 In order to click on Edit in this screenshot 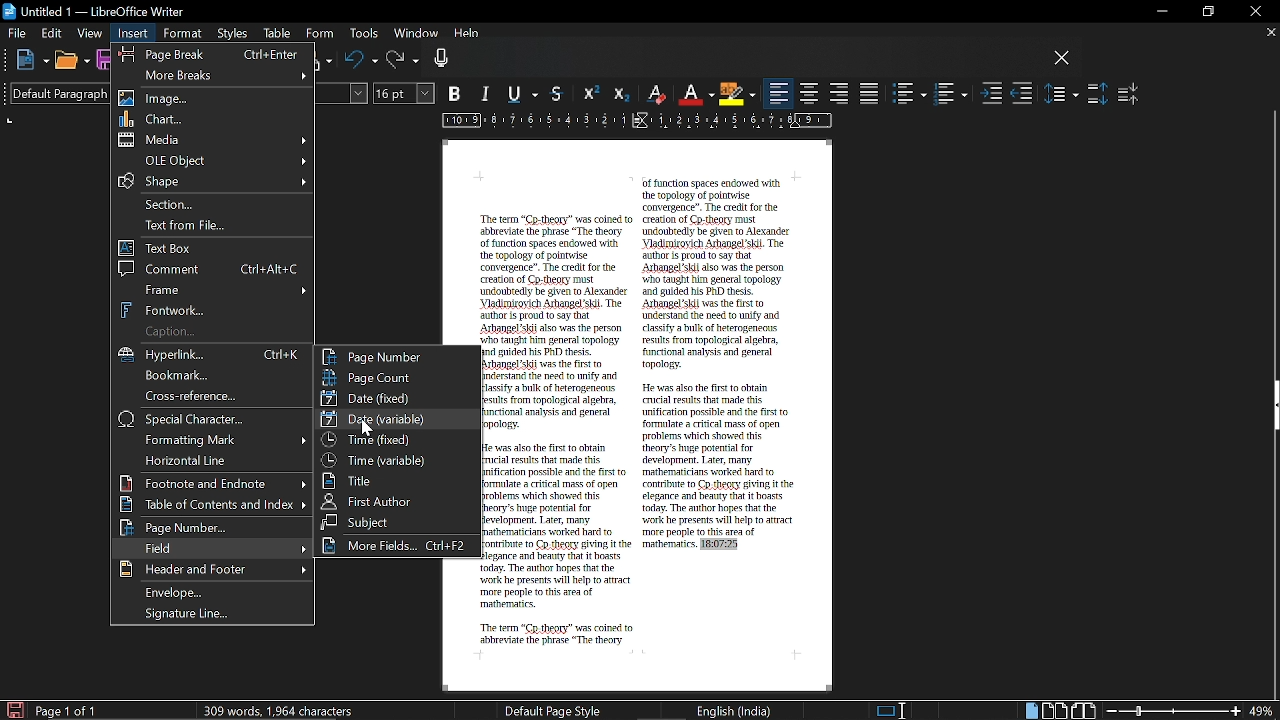, I will do `click(53, 33)`.